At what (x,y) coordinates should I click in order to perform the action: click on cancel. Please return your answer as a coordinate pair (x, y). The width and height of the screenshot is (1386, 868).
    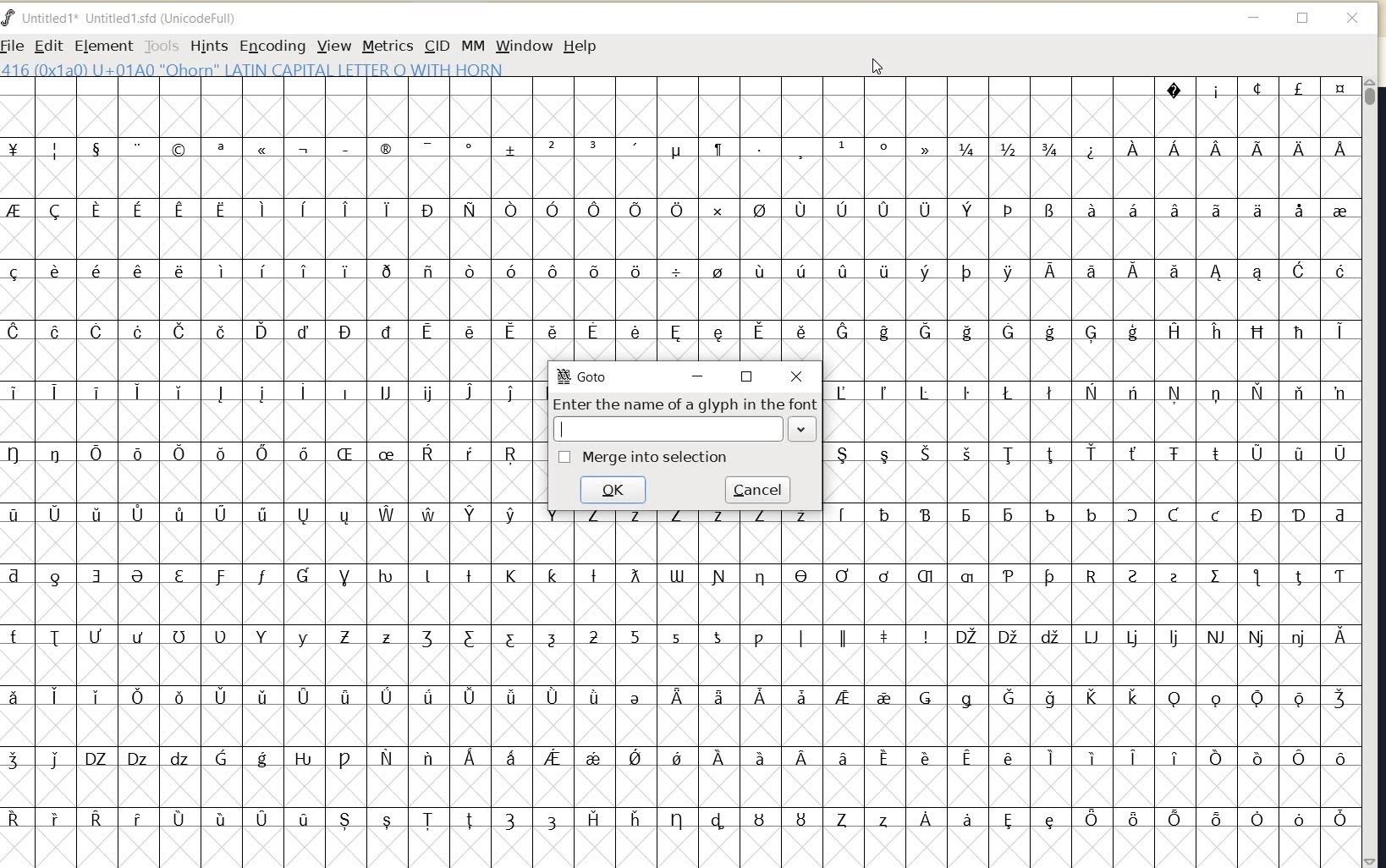
    Looking at the image, I should click on (757, 488).